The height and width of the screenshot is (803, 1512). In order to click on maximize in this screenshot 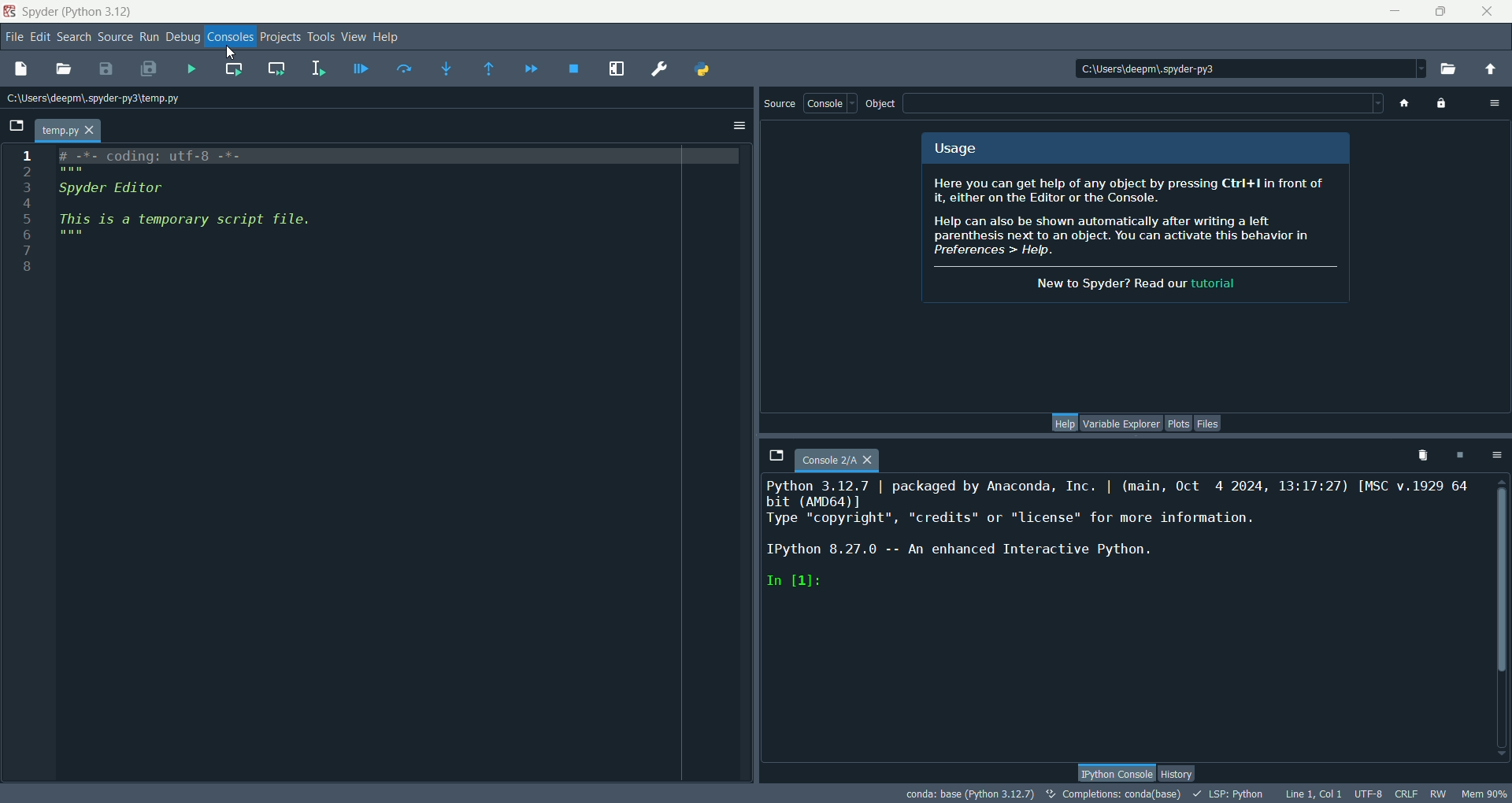, I will do `click(1440, 11)`.